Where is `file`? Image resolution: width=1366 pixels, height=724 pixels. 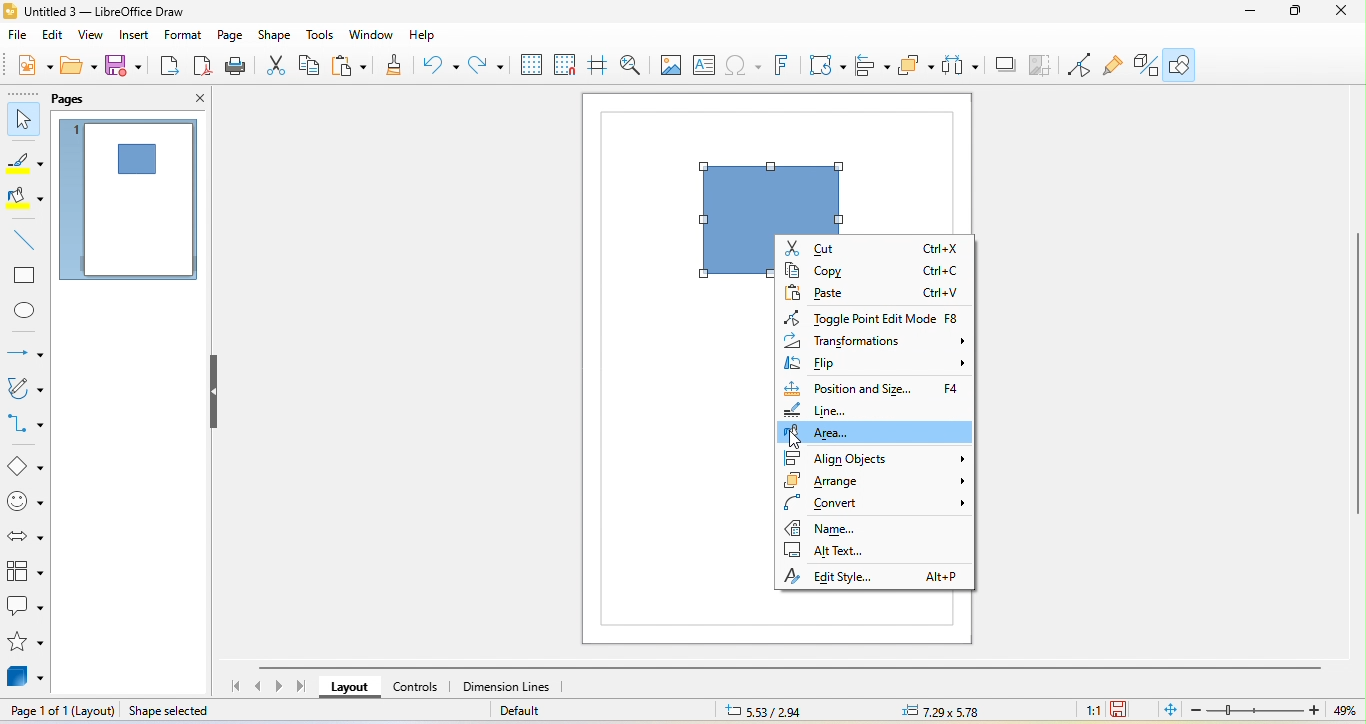 file is located at coordinates (17, 38).